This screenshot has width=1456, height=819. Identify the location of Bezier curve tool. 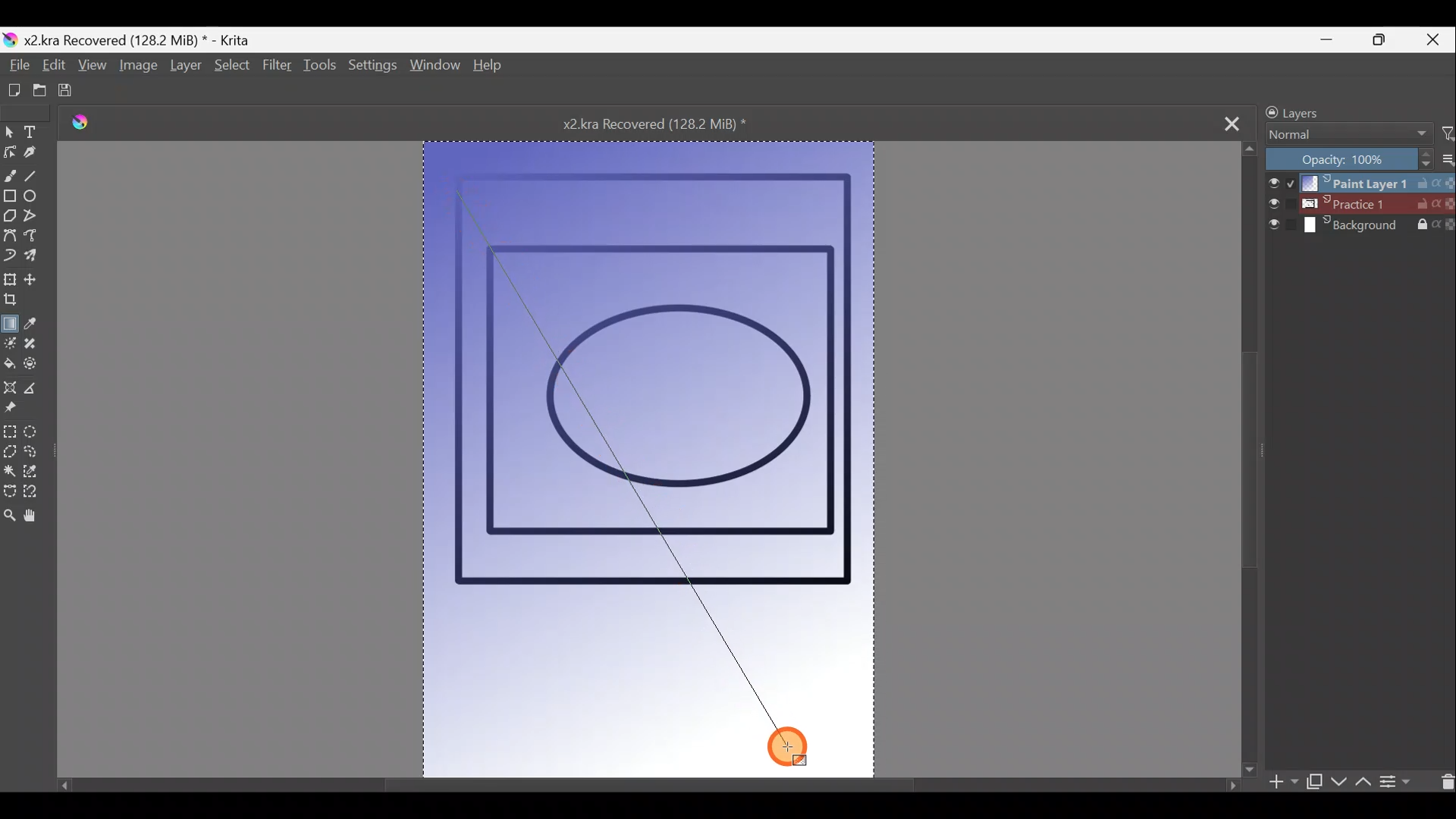
(10, 237).